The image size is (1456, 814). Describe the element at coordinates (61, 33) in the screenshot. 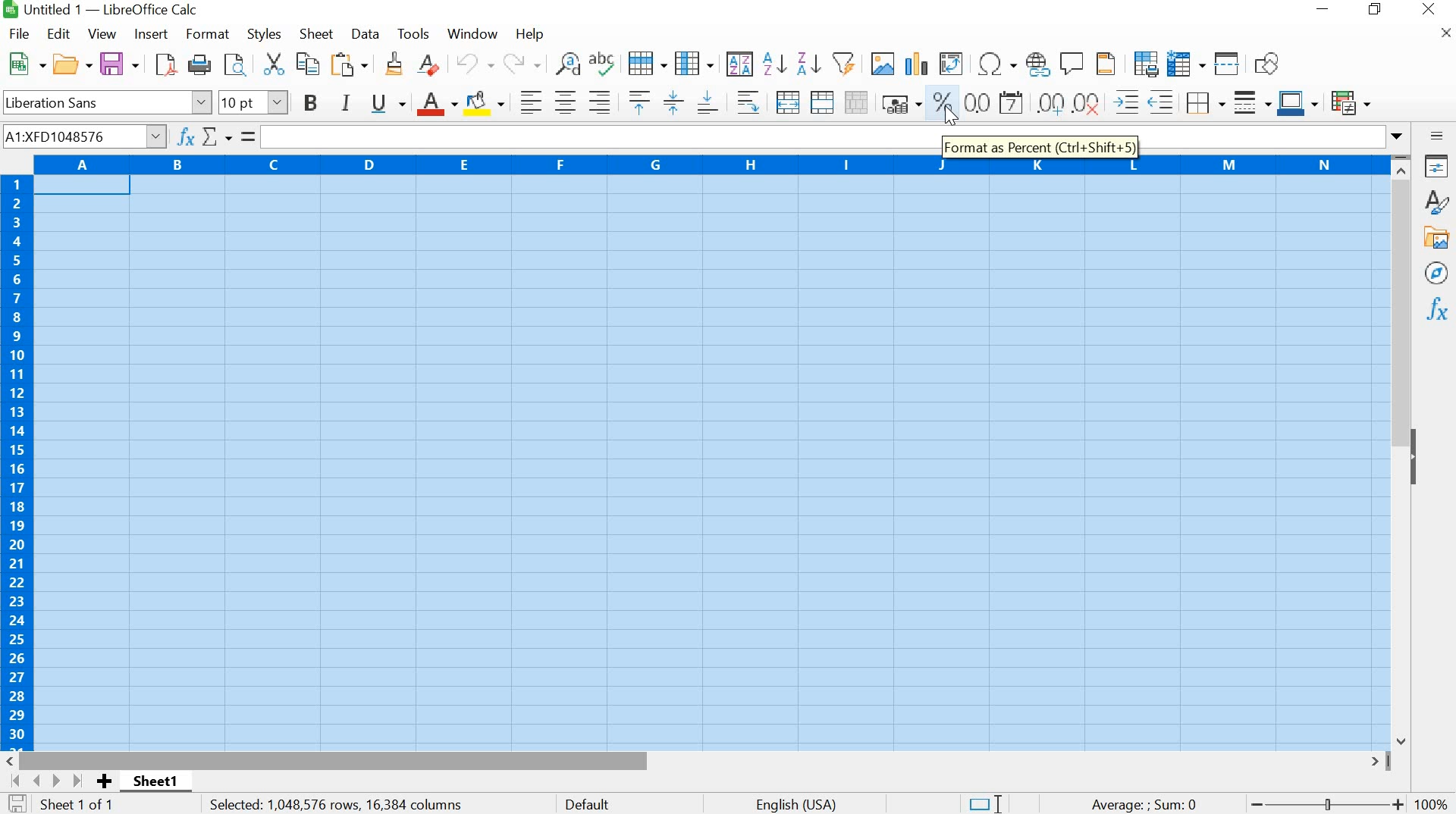

I see `EDIT` at that location.